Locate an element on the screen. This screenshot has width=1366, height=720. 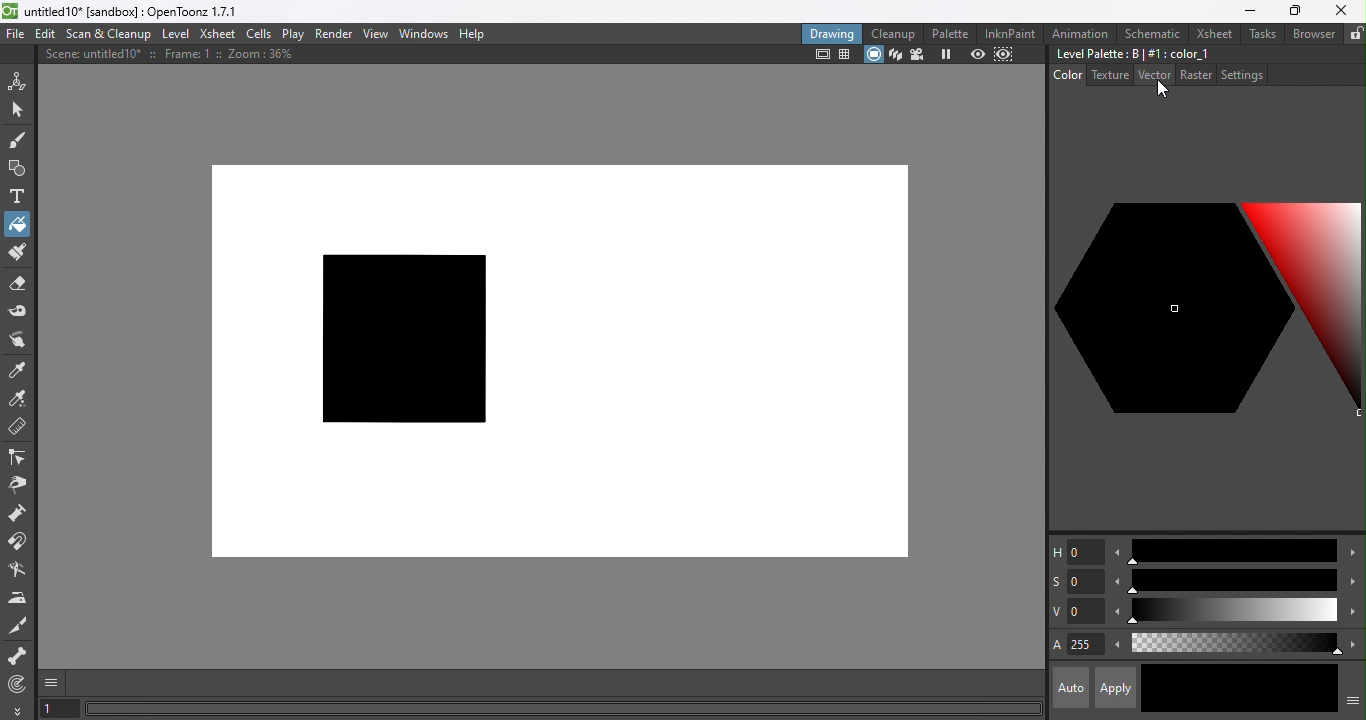
Render is located at coordinates (335, 33).